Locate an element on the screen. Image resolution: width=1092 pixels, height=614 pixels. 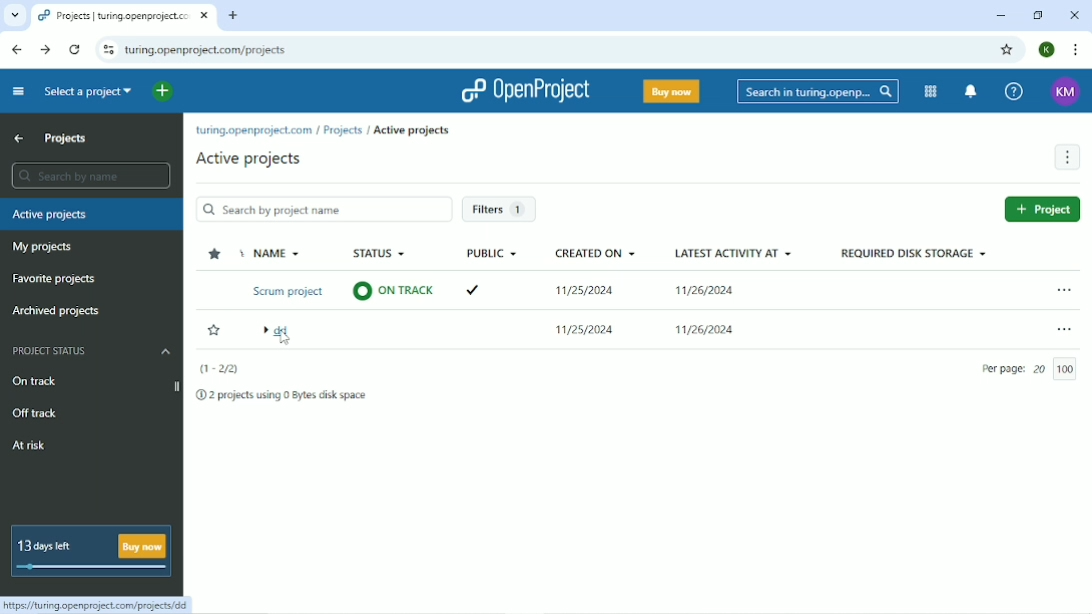
Customize and control google chrome is located at coordinates (1076, 50).